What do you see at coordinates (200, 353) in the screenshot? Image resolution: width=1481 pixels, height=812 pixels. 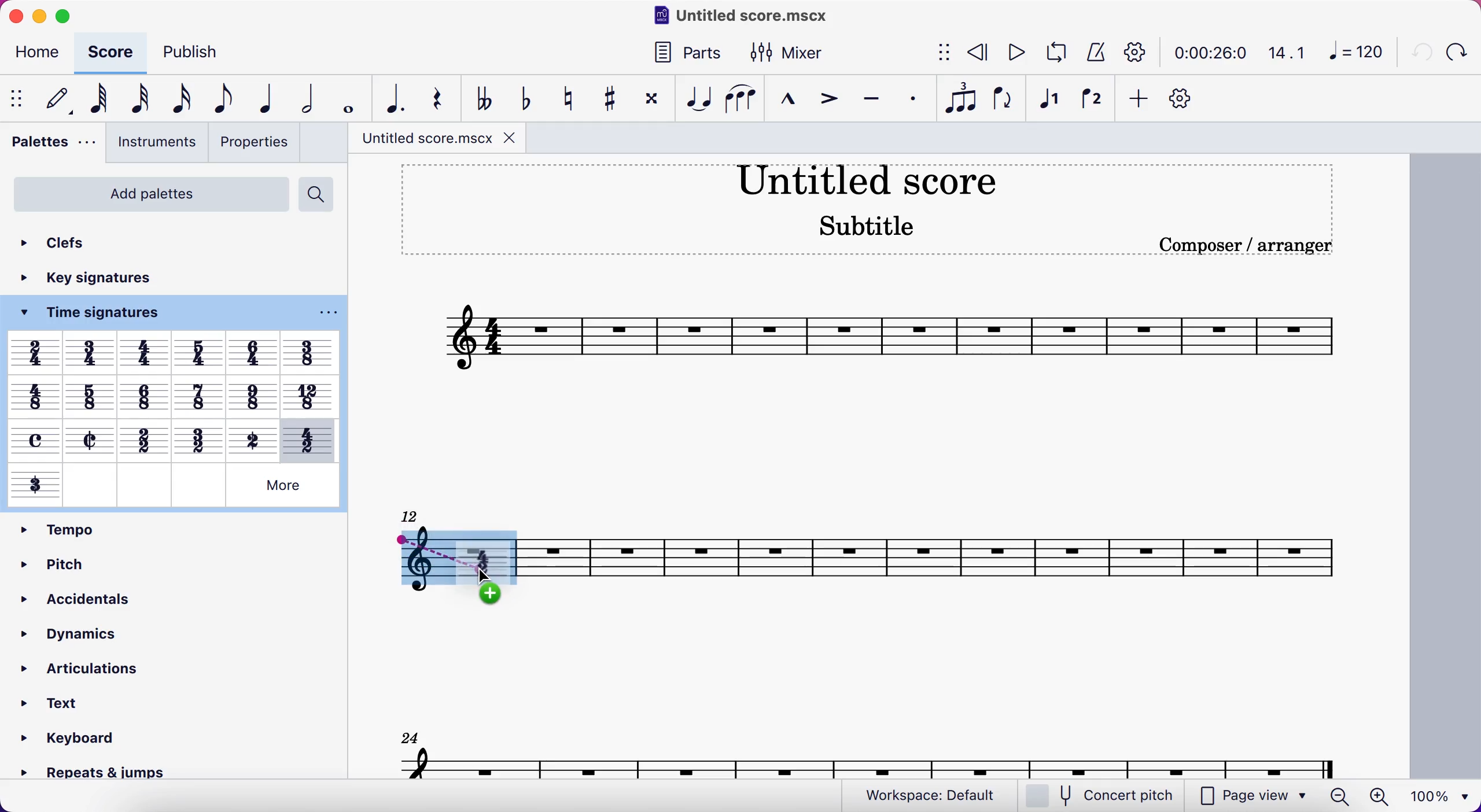 I see `` at bounding box center [200, 353].